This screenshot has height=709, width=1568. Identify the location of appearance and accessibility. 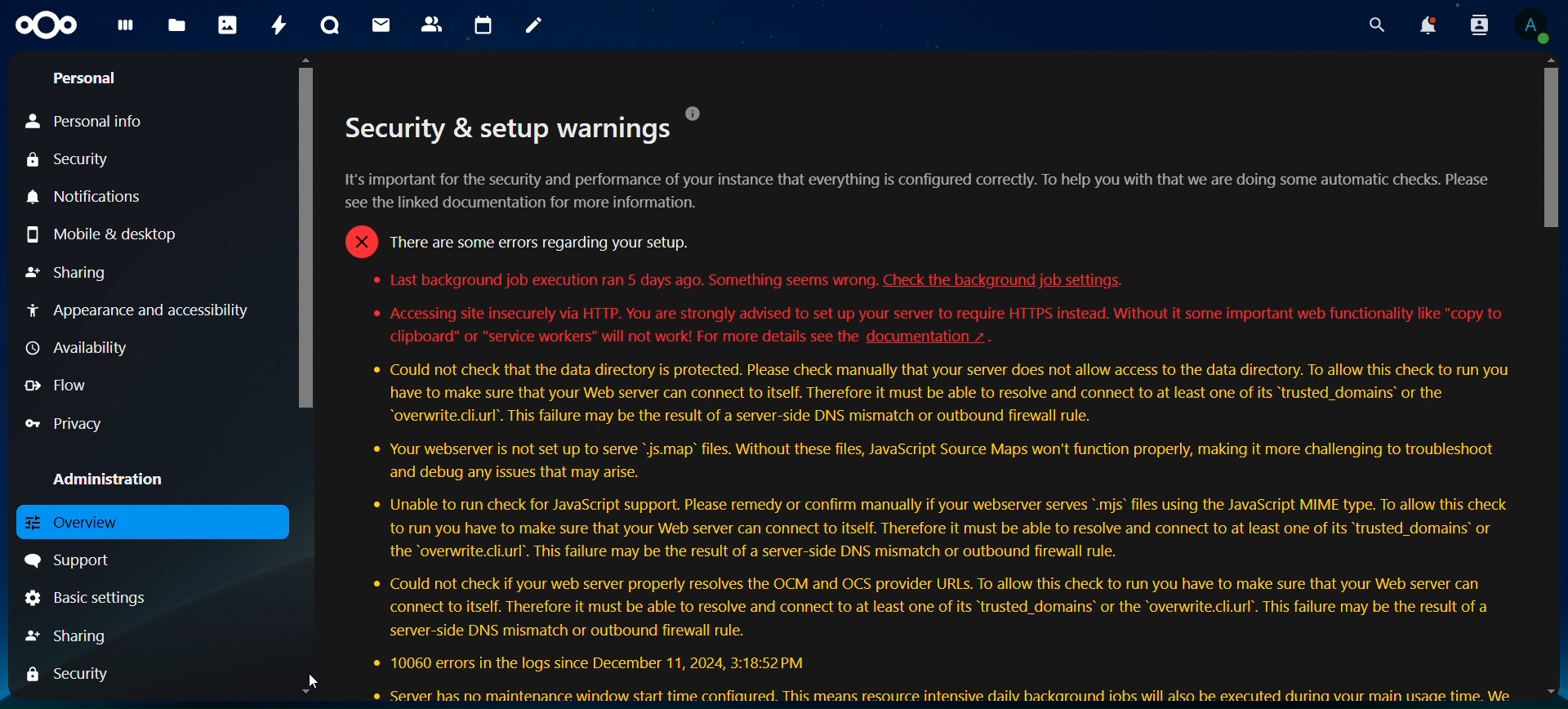
(145, 310).